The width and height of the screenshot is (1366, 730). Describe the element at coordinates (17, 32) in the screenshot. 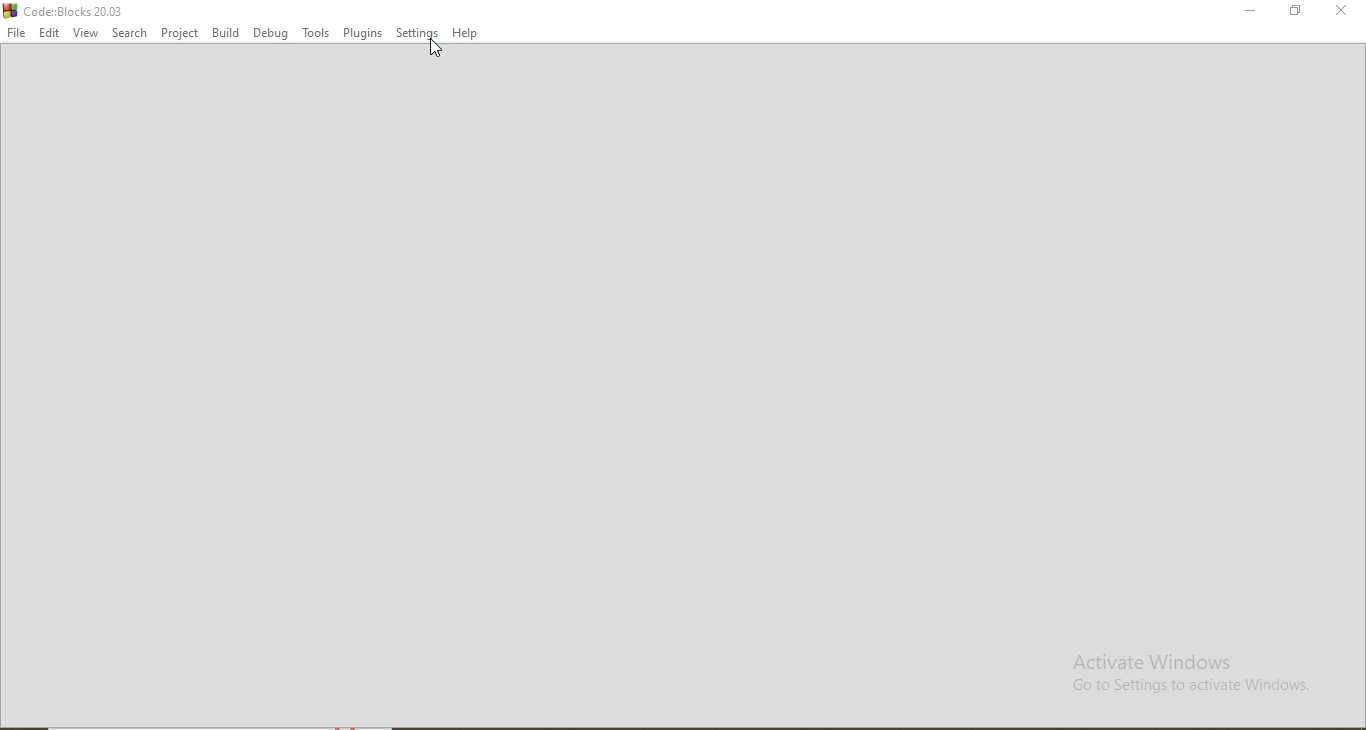

I see `File` at that location.